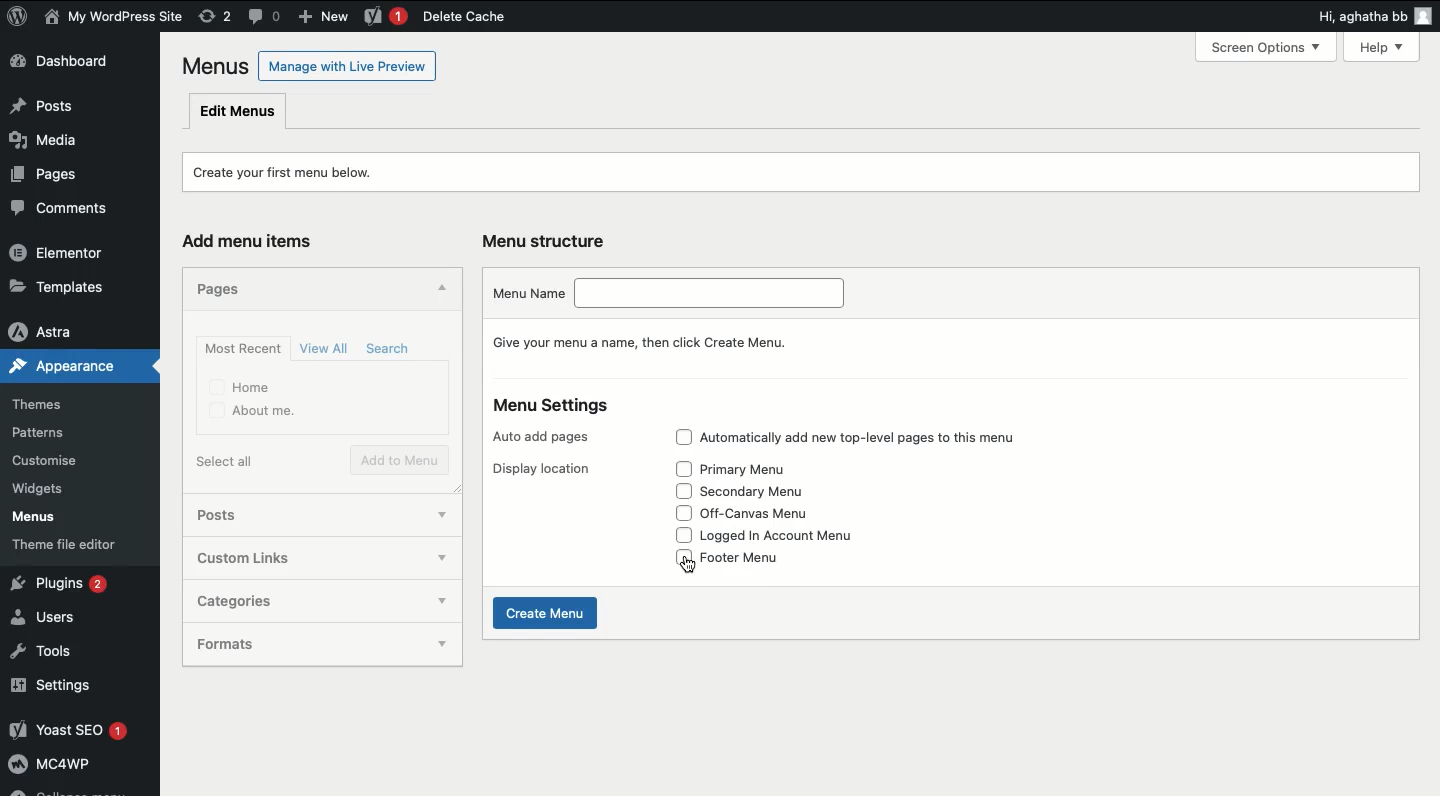  What do you see at coordinates (81, 548) in the screenshot?
I see `Theme file editor` at bounding box center [81, 548].